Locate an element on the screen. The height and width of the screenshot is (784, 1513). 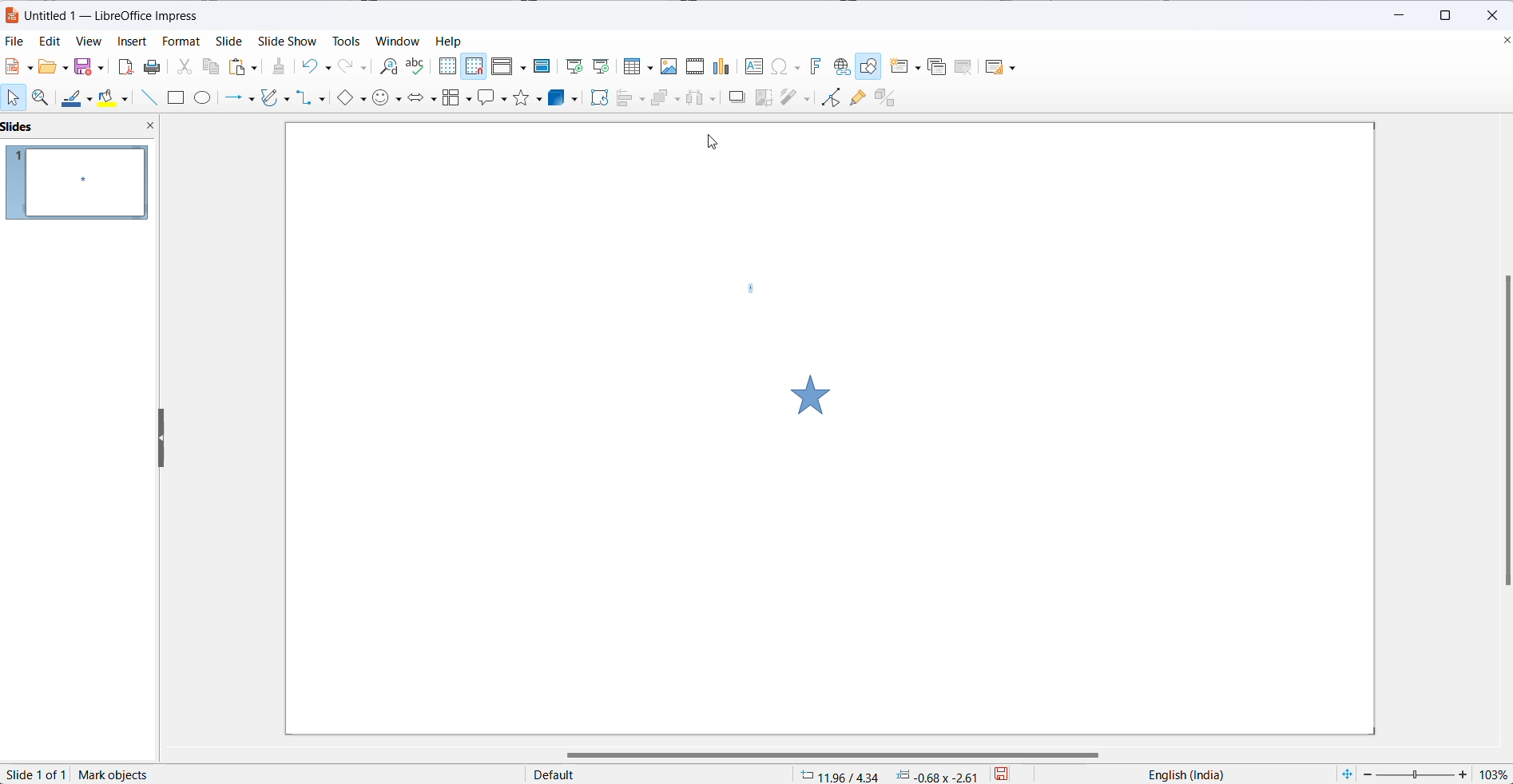
display grid is located at coordinates (447, 66).